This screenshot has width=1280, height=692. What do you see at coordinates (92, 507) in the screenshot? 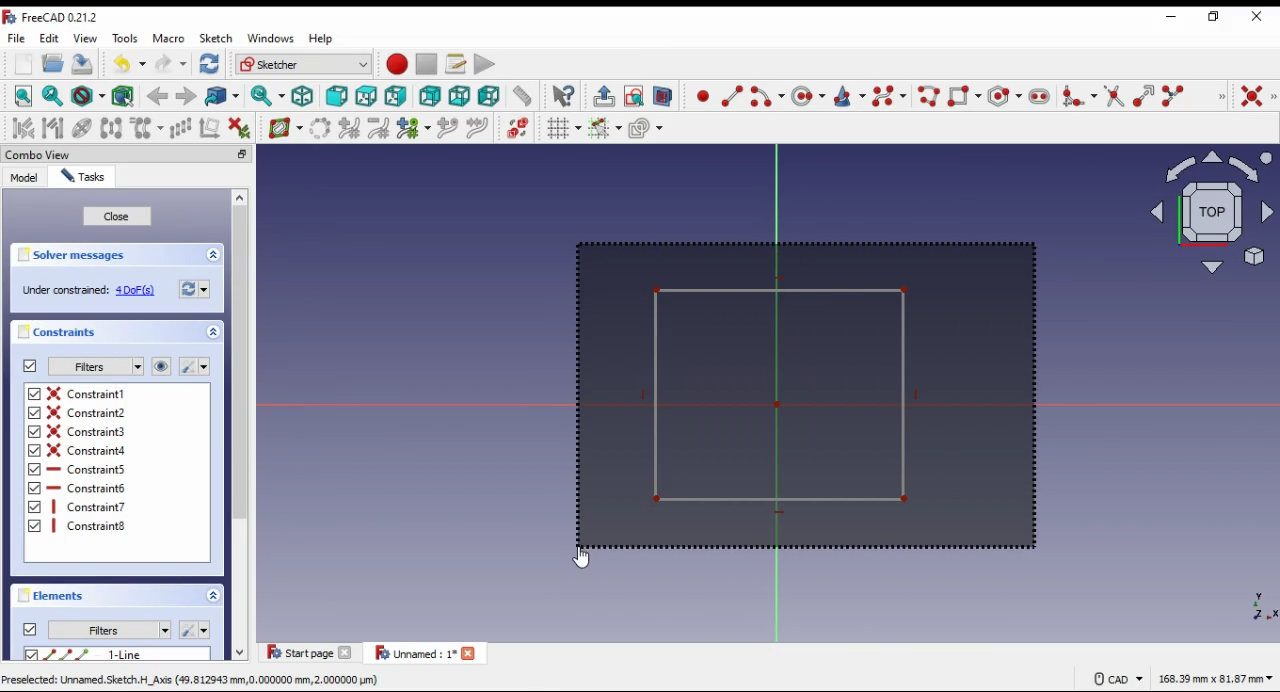
I see `on/off constraint 7` at bounding box center [92, 507].